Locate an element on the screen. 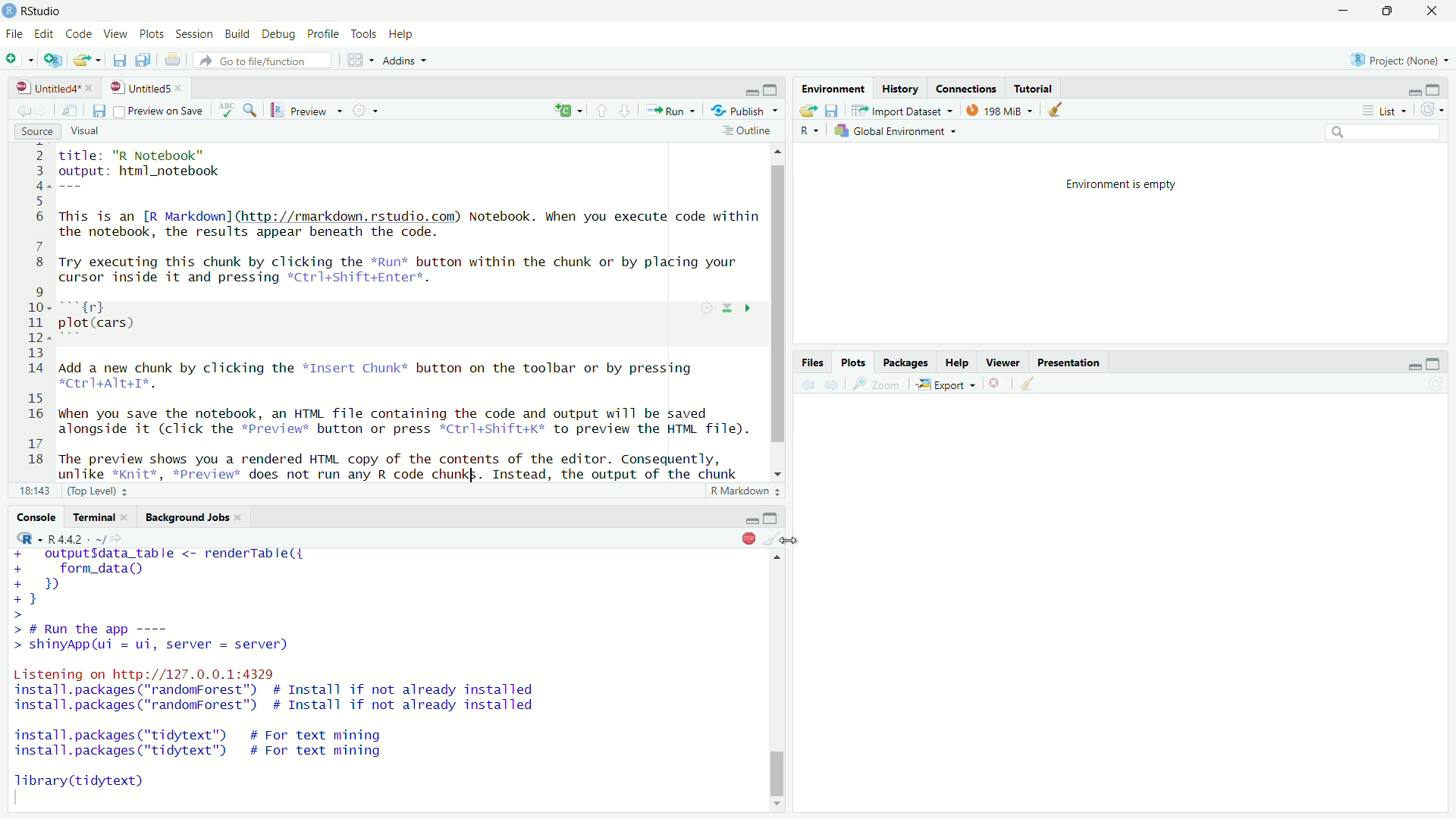  scrollbar up is located at coordinates (778, 152).